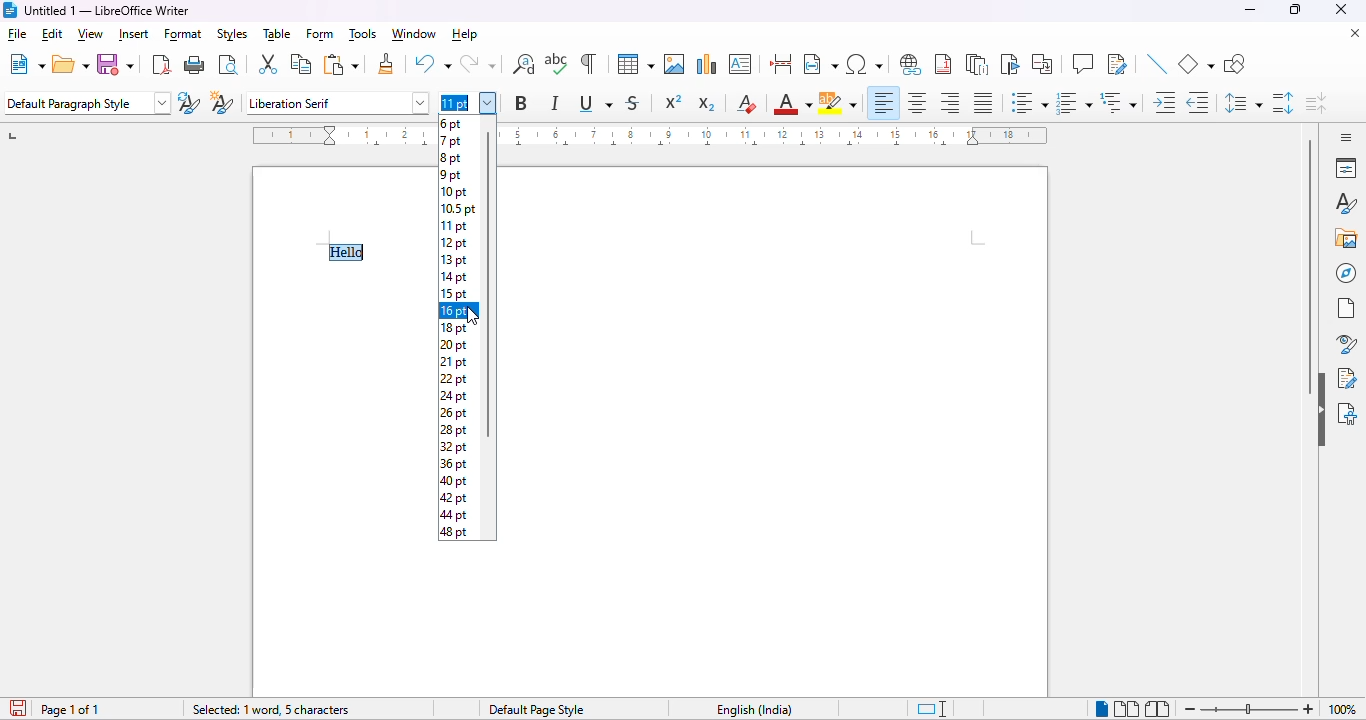 The height and width of the screenshot is (720, 1366). I want to click on toggle print preview, so click(230, 64).